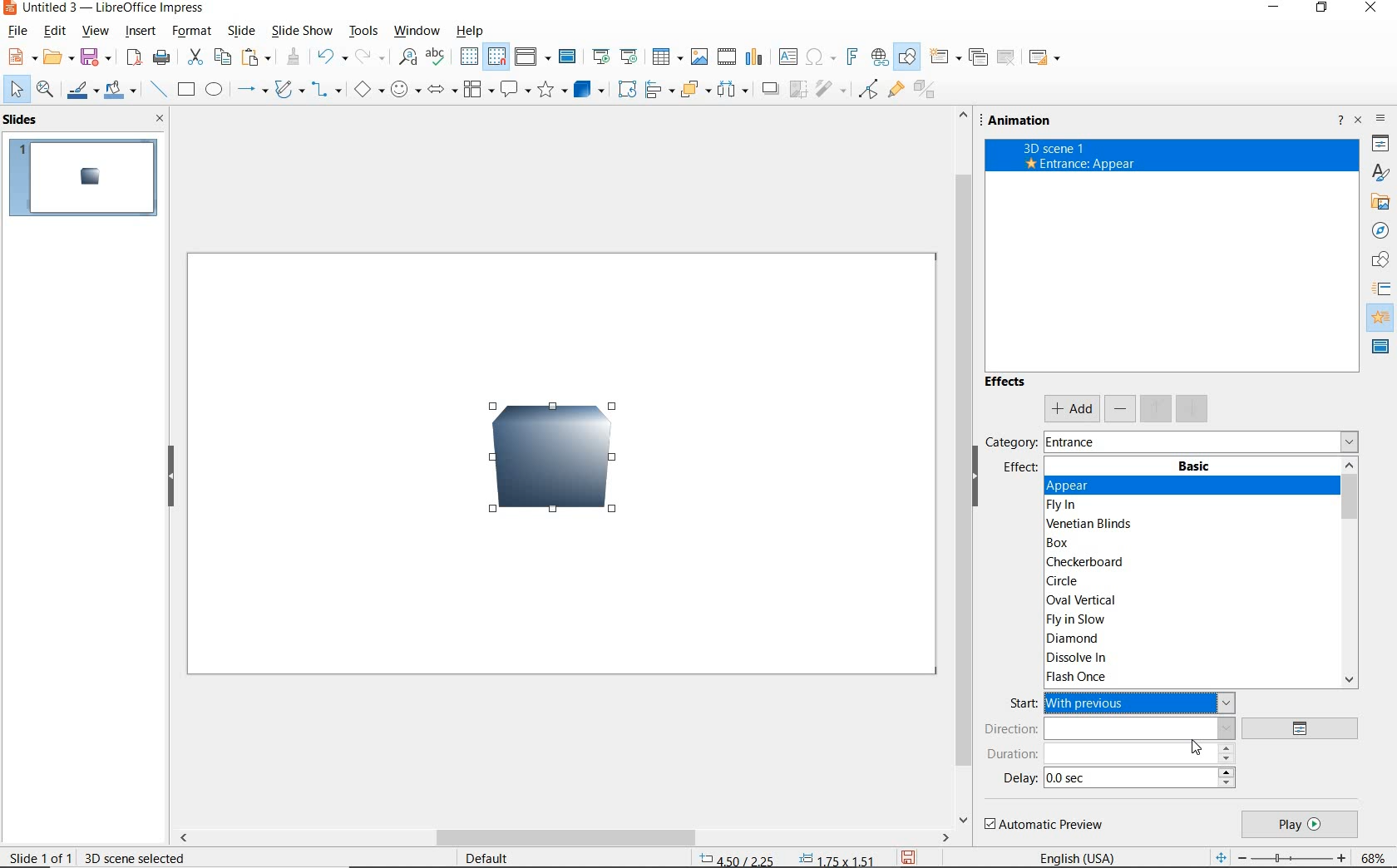 Image resolution: width=1397 pixels, height=868 pixels. What do you see at coordinates (553, 91) in the screenshot?
I see `stars and banners` at bounding box center [553, 91].